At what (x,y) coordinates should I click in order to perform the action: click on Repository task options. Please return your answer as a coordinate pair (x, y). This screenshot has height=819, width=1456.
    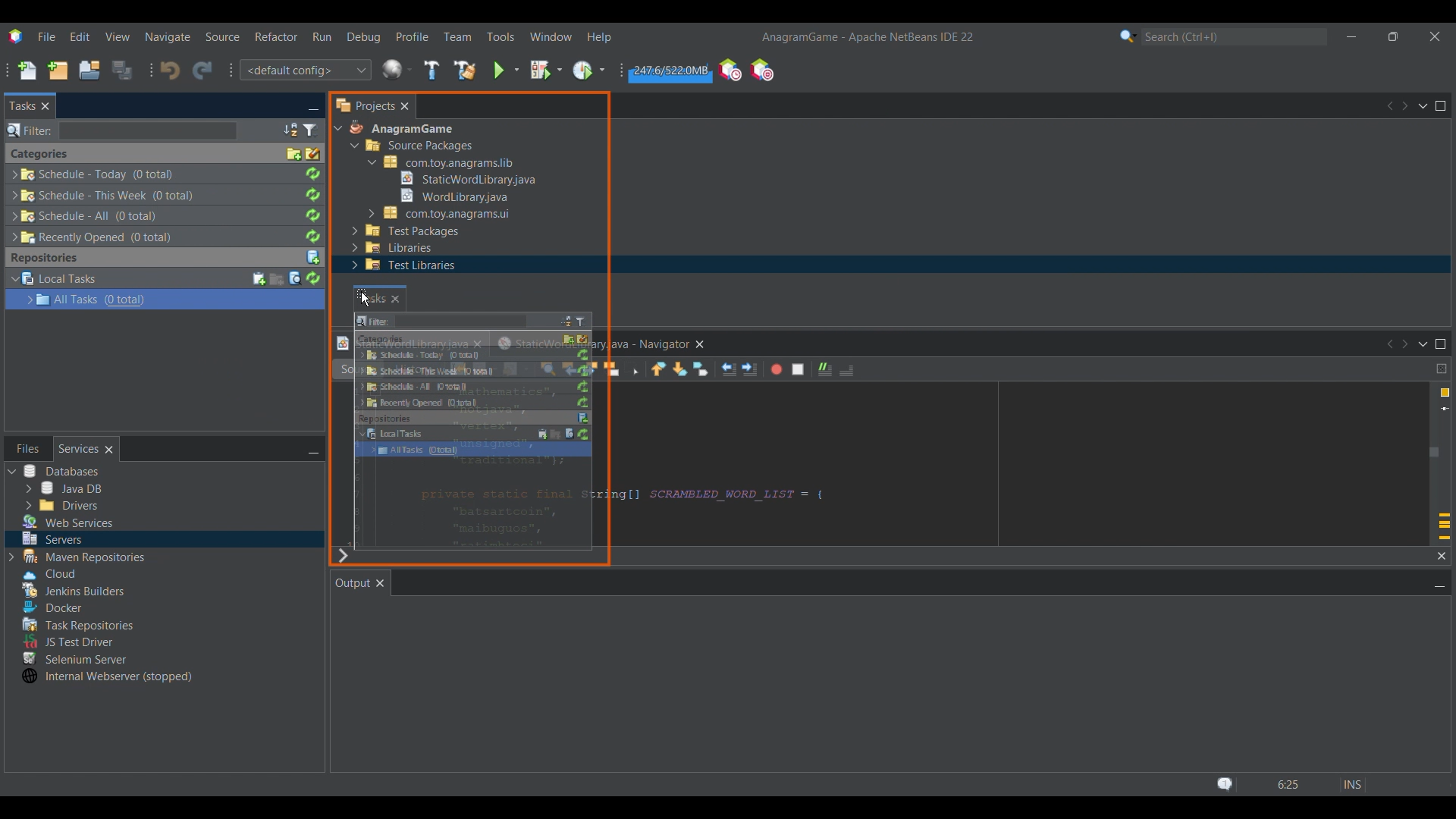
    Looking at the image, I should click on (88, 289).